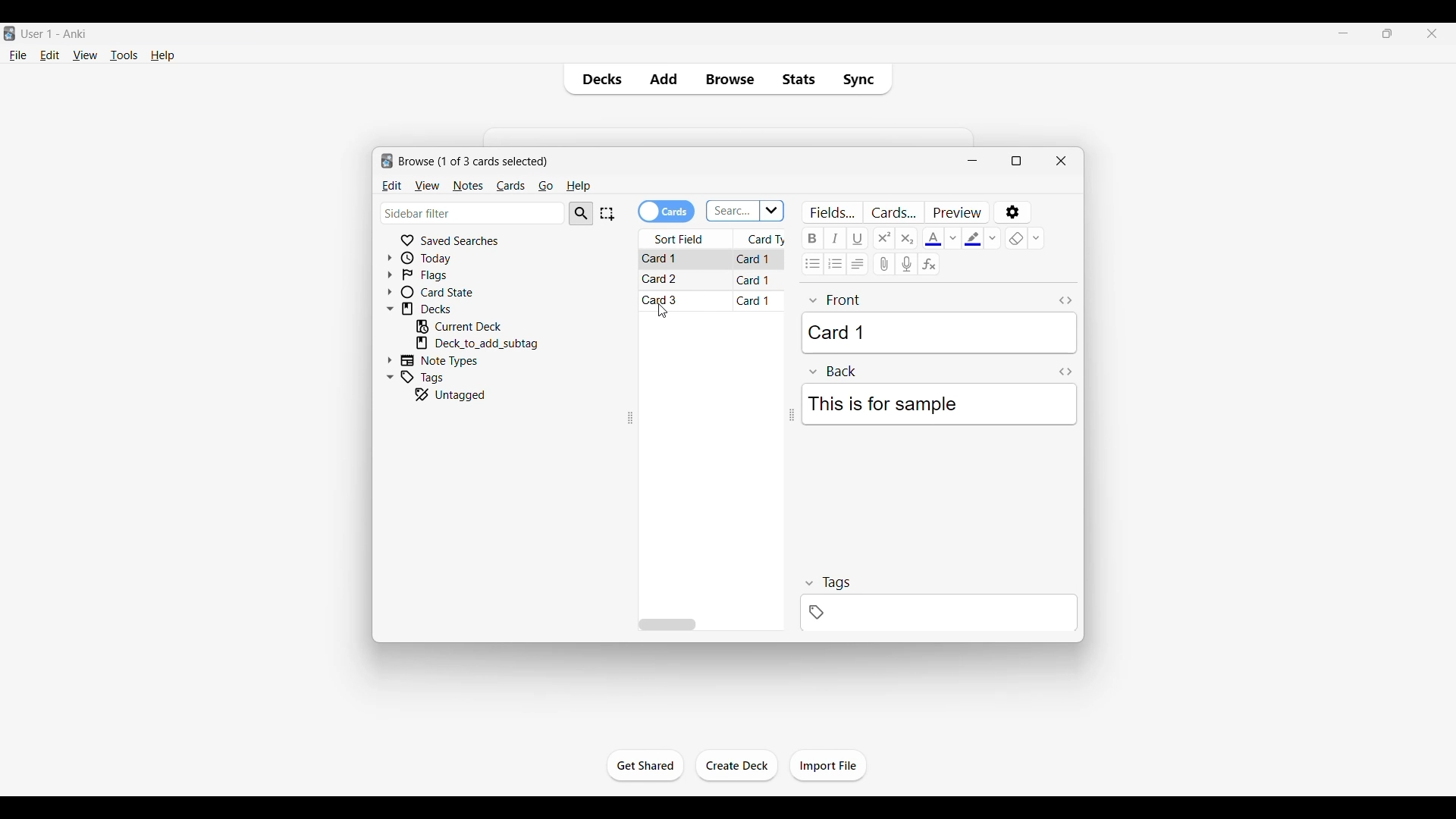 This screenshot has width=1456, height=819. I want to click on Click to create another deck, so click(737, 765).